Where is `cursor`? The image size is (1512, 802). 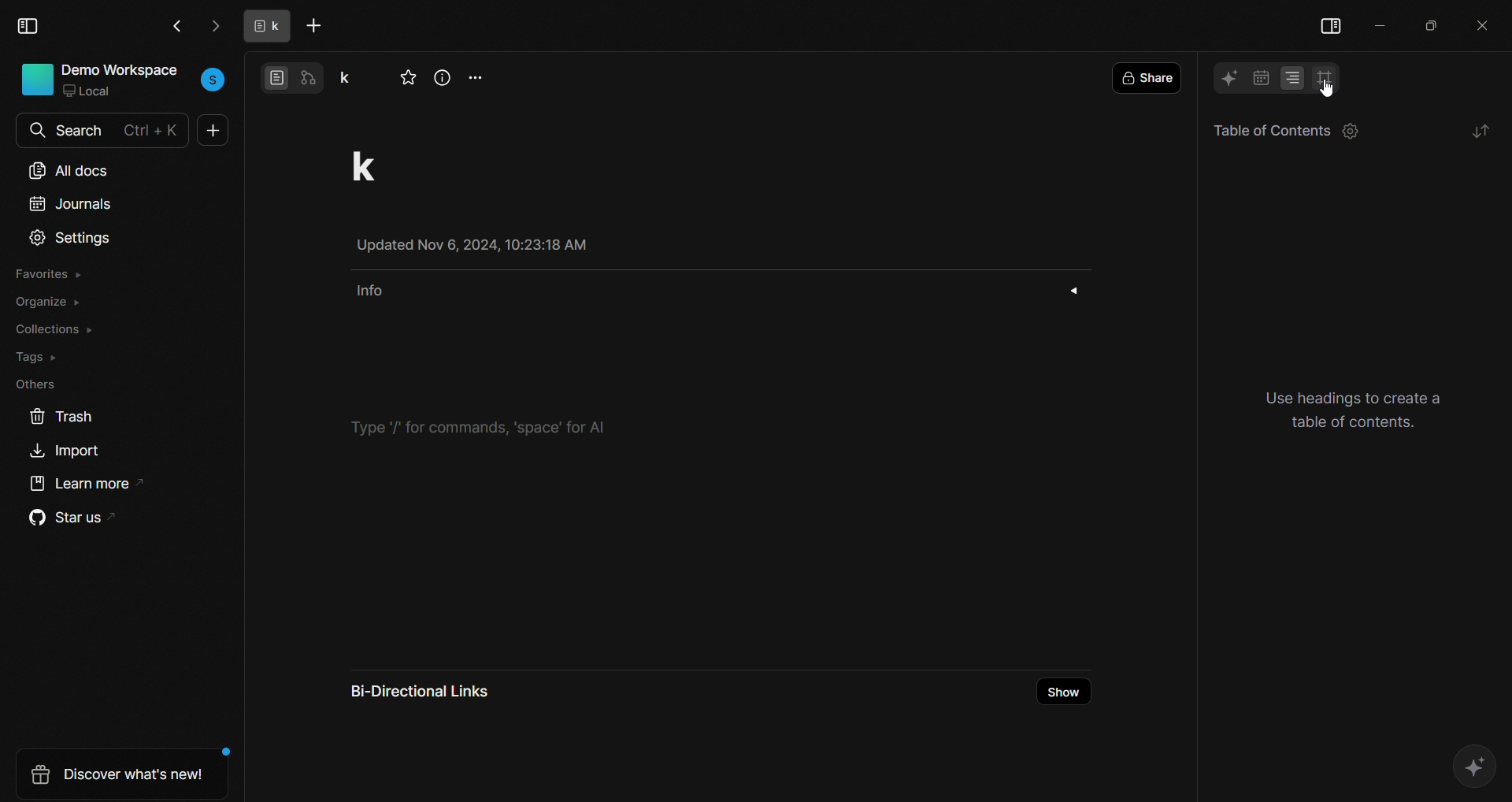
cursor is located at coordinates (1325, 83).